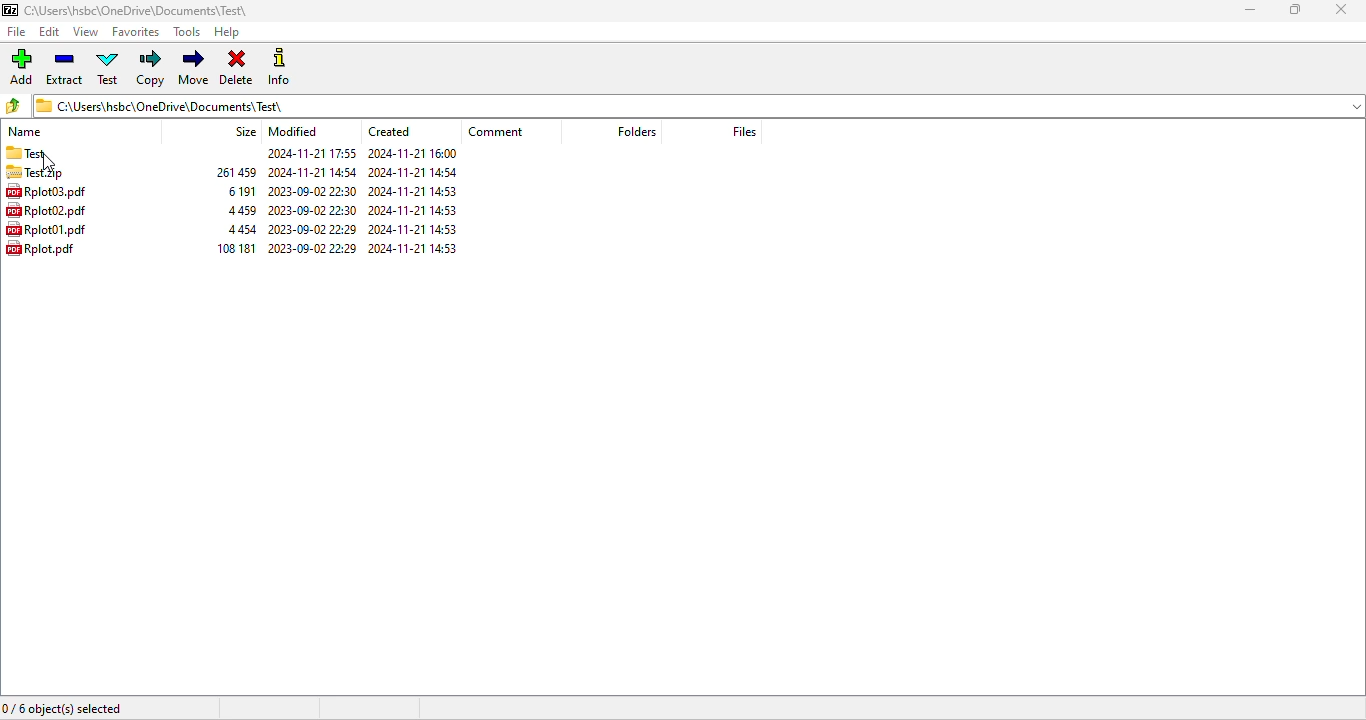 The image size is (1366, 720). What do you see at coordinates (1295, 9) in the screenshot?
I see `maximize` at bounding box center [1295, 9].